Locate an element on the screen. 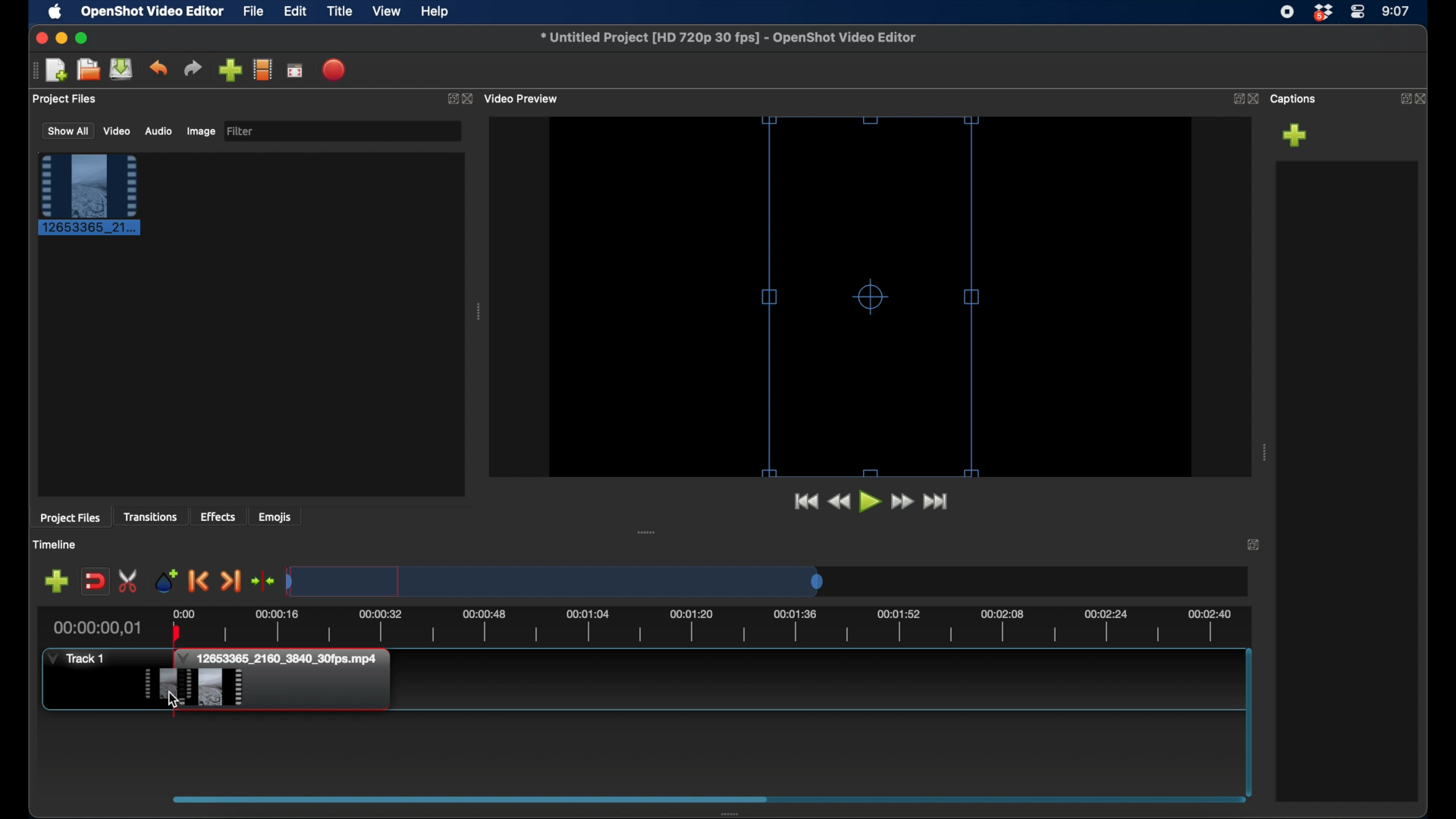 This screenshot has width=1456, height=819. track 1 is located at coordinates (76, 657).